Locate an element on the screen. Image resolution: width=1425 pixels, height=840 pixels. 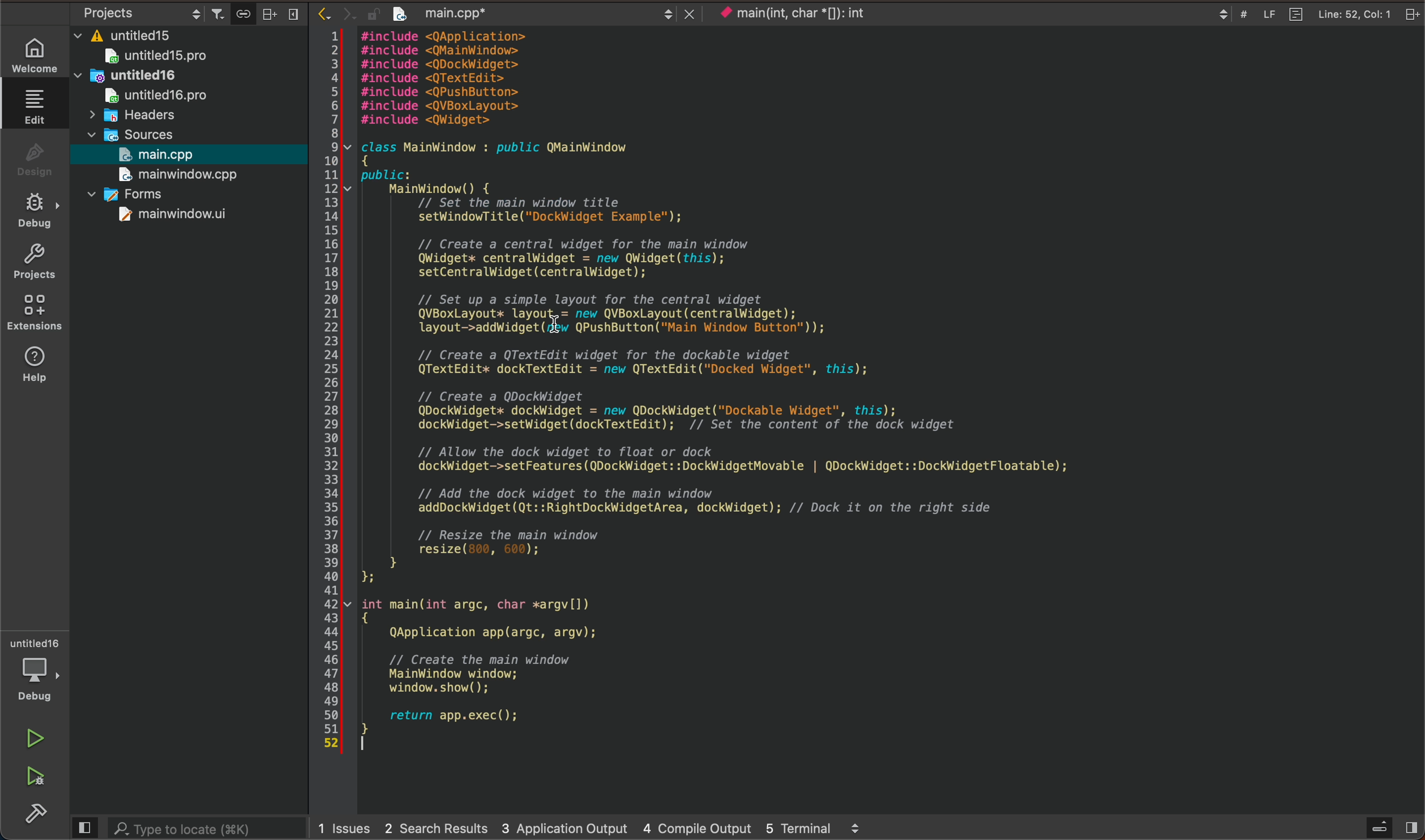
forms is located at coordinates (136, 194).